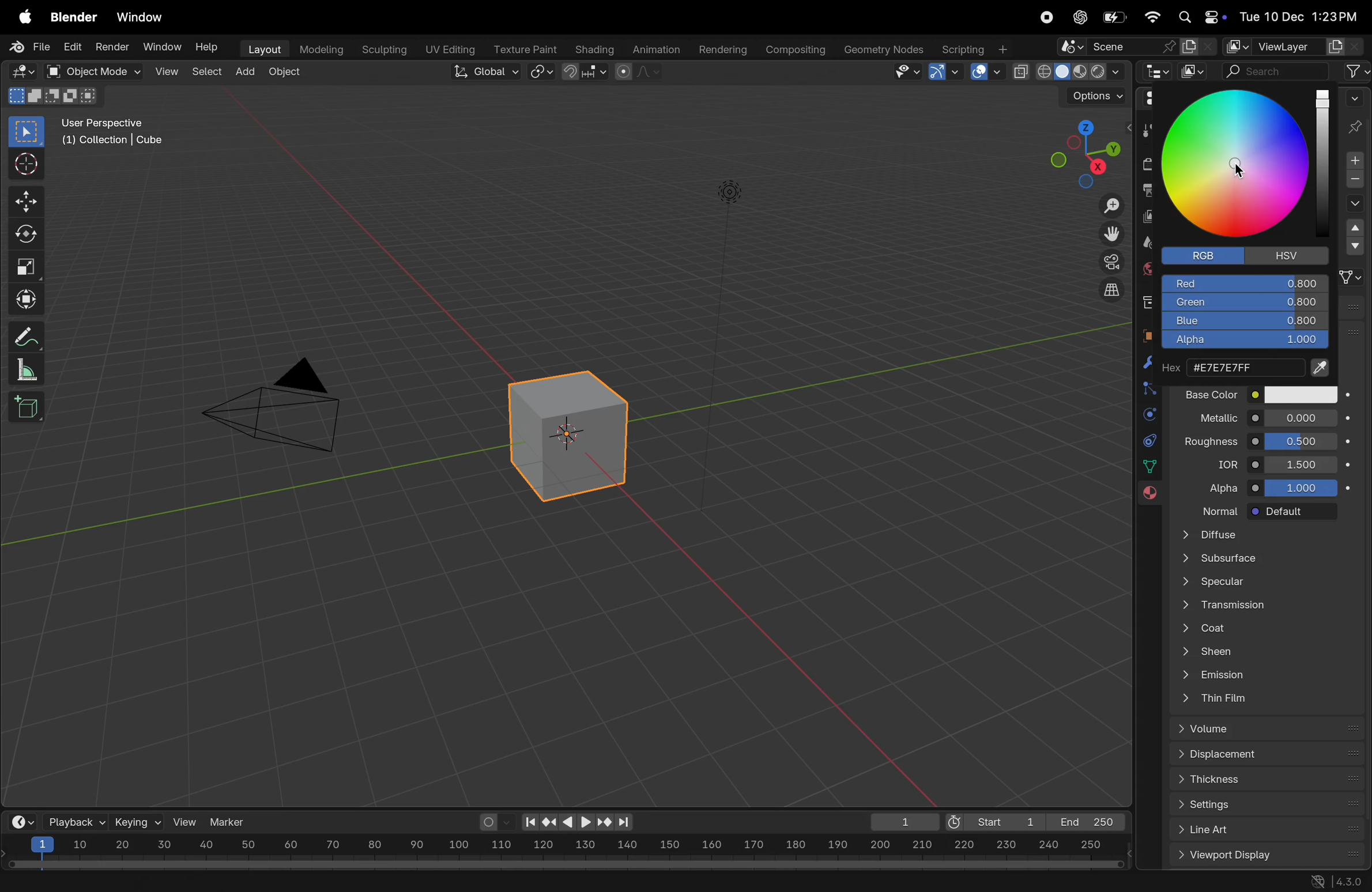 This screenshot has height=892, width=1372. What do you see at coordinates (1352, 161) in the screenshot?
I see `add material` at bounding box center [1352, 161].